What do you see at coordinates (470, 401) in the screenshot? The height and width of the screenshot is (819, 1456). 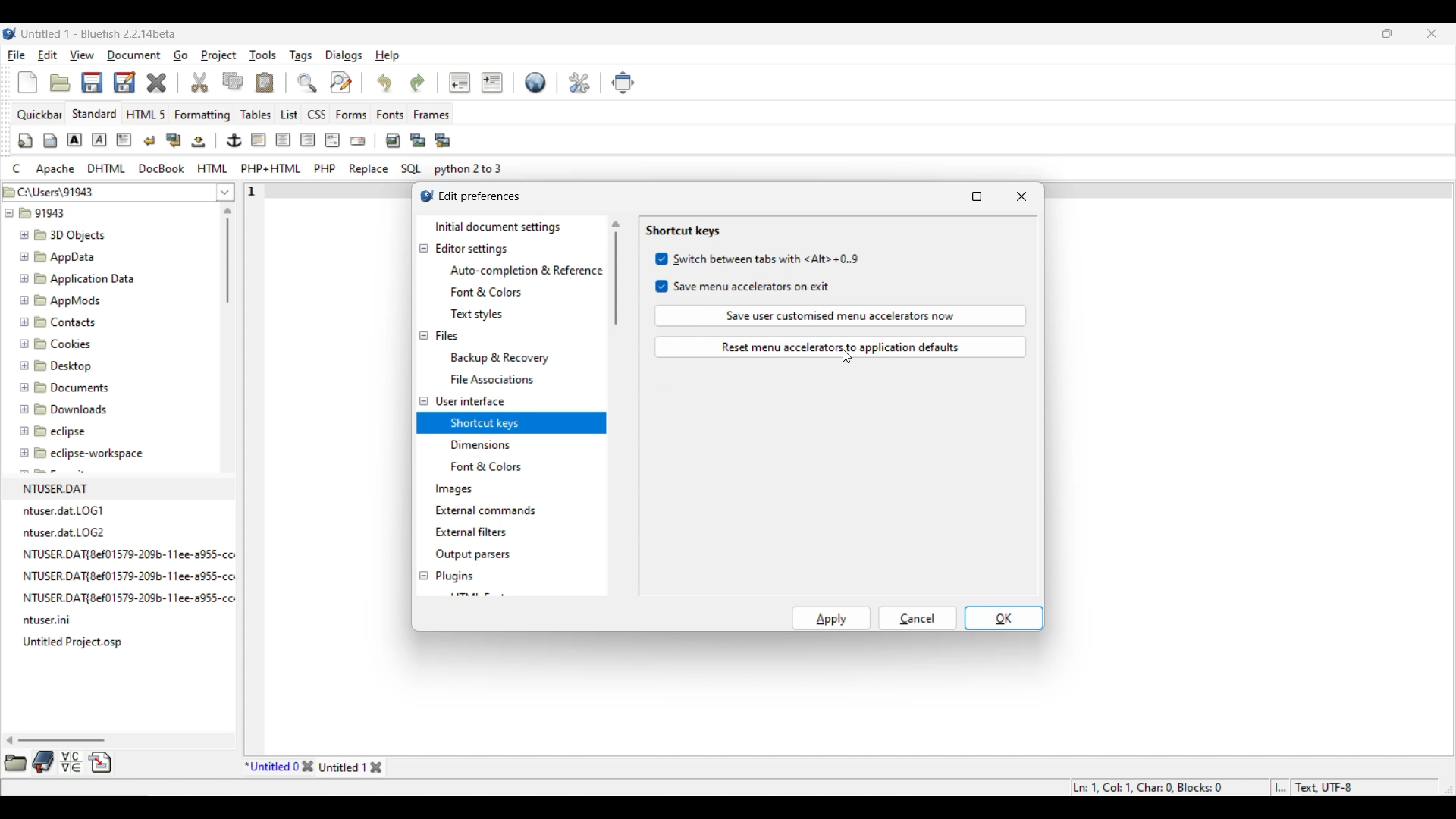 I see `User interface setting` at bounding box center [470, 401].